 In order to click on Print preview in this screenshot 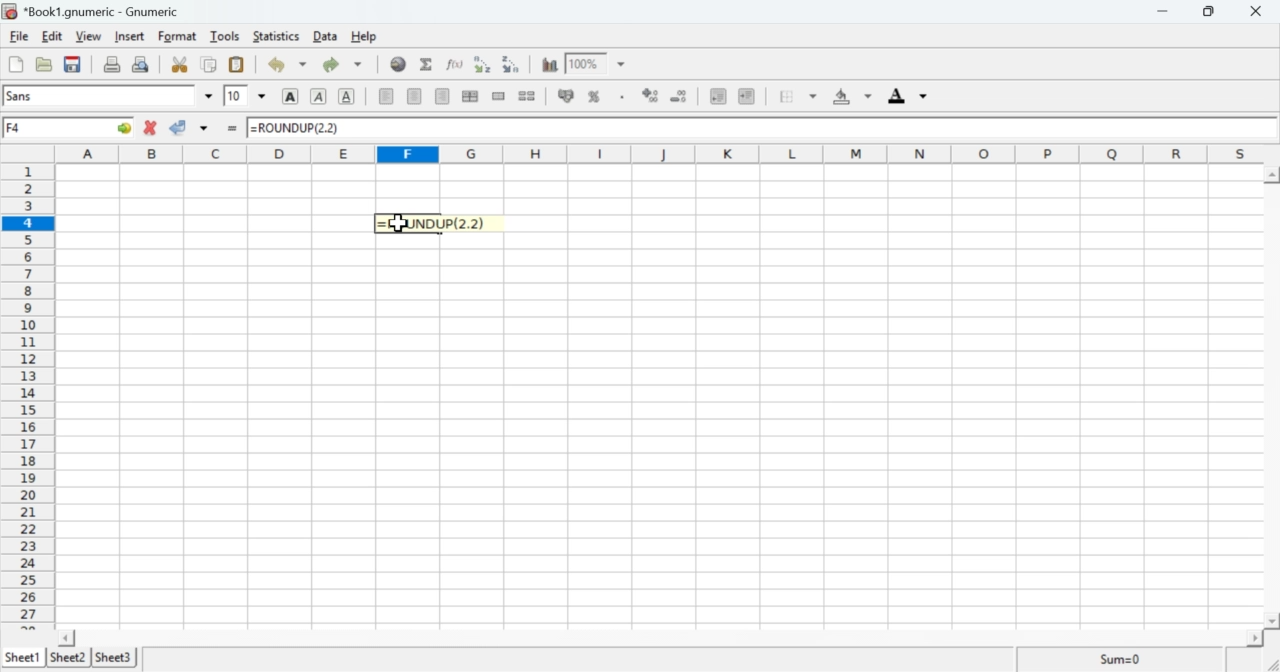, I will do `click(142, 65)`.